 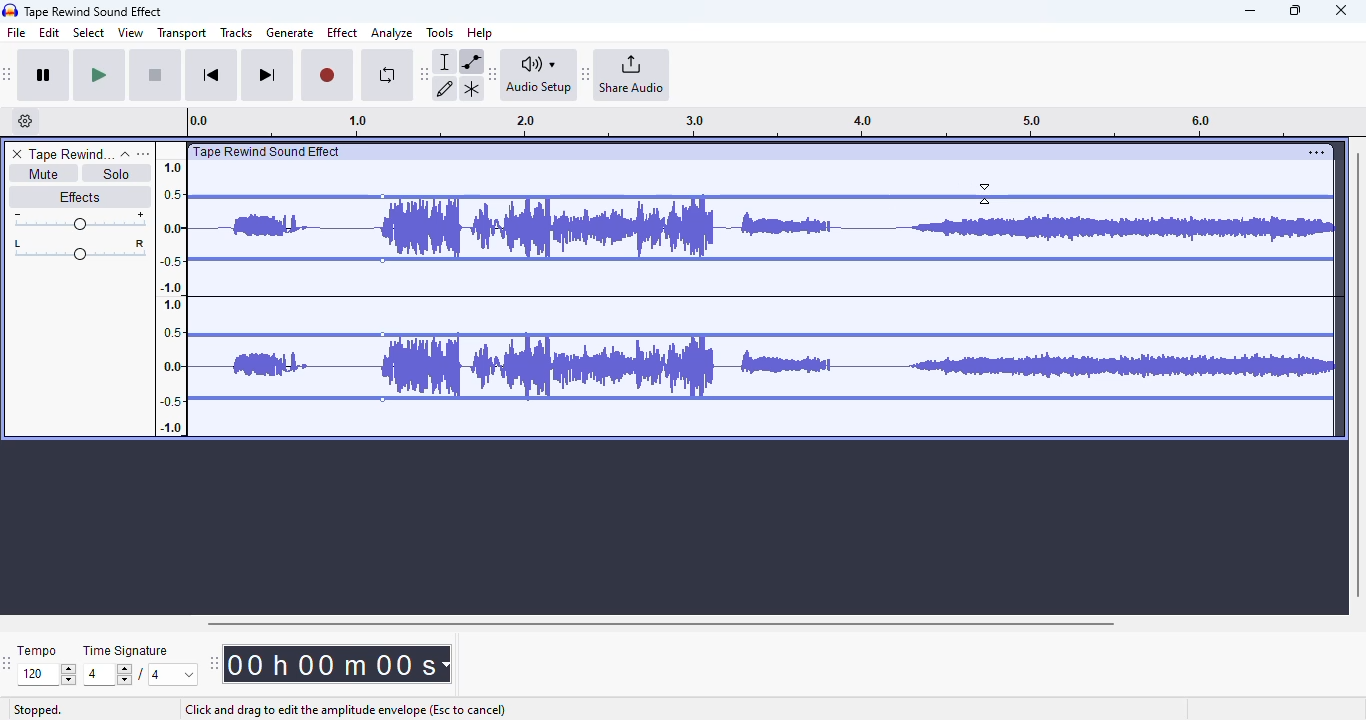 I want to click on envelope tool, so click(x=471, y=61).